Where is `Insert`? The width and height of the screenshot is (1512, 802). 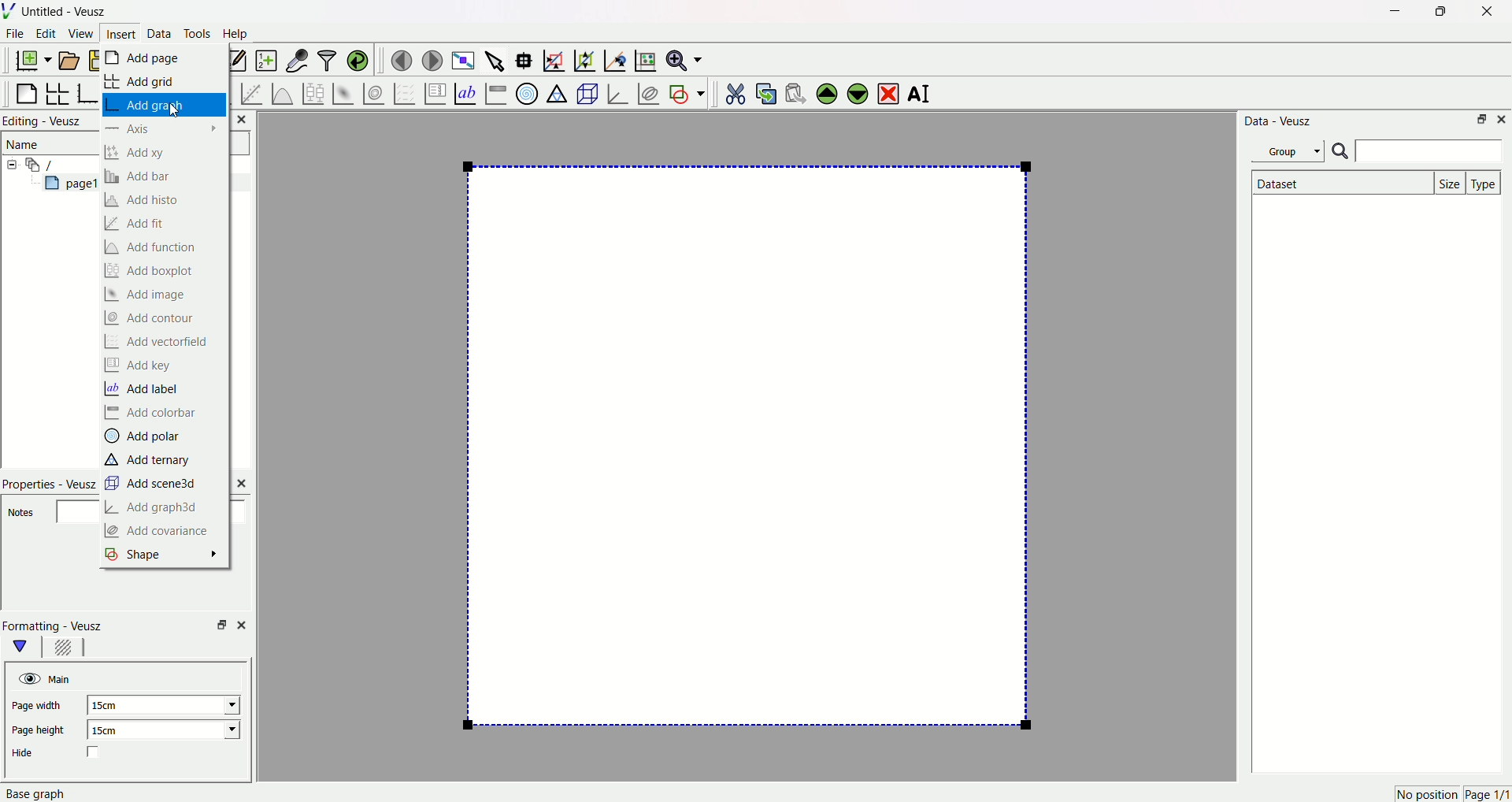 Insert is located at coordinates (120, 35).